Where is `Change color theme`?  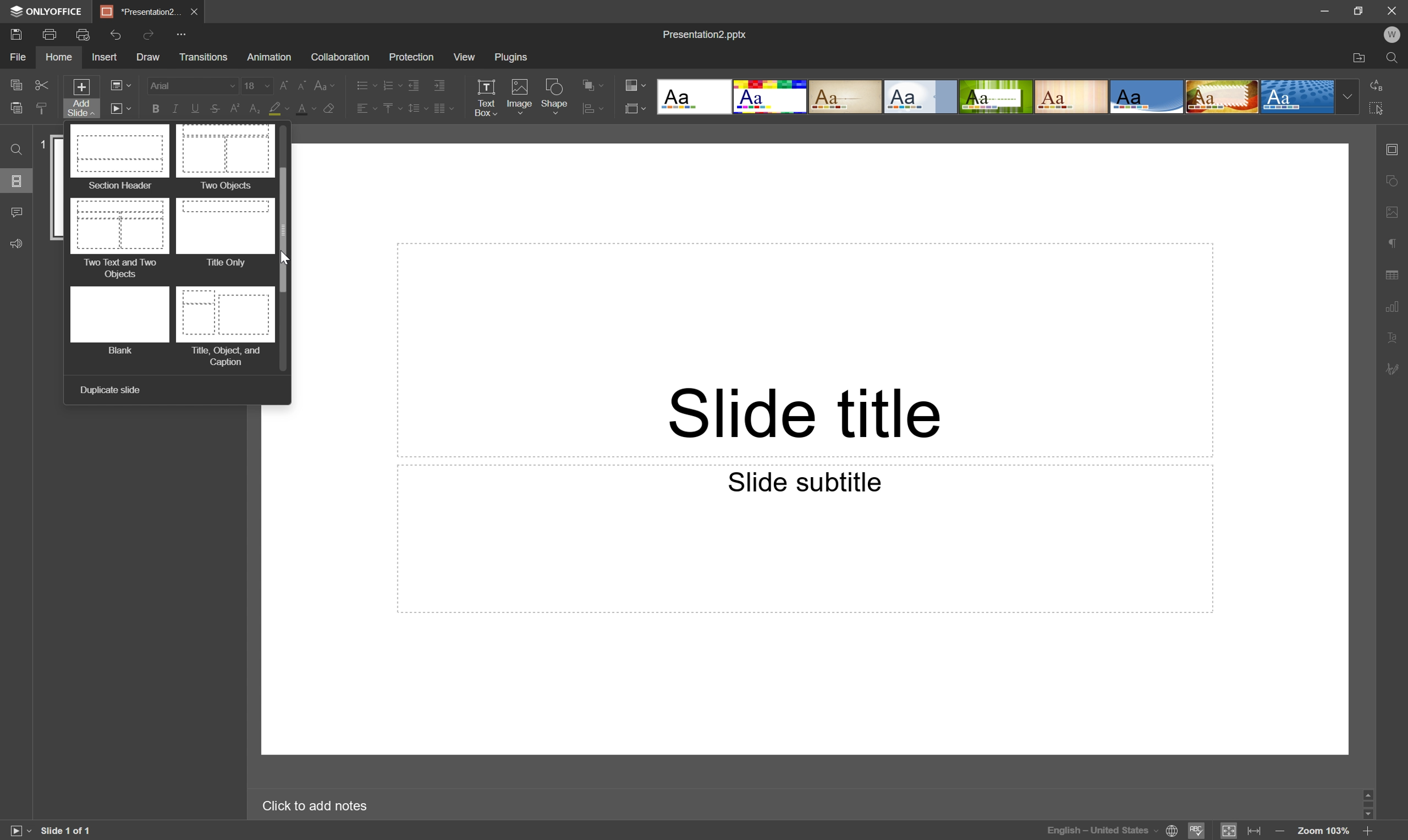 Change color theme is located at coordinates (635, 83).